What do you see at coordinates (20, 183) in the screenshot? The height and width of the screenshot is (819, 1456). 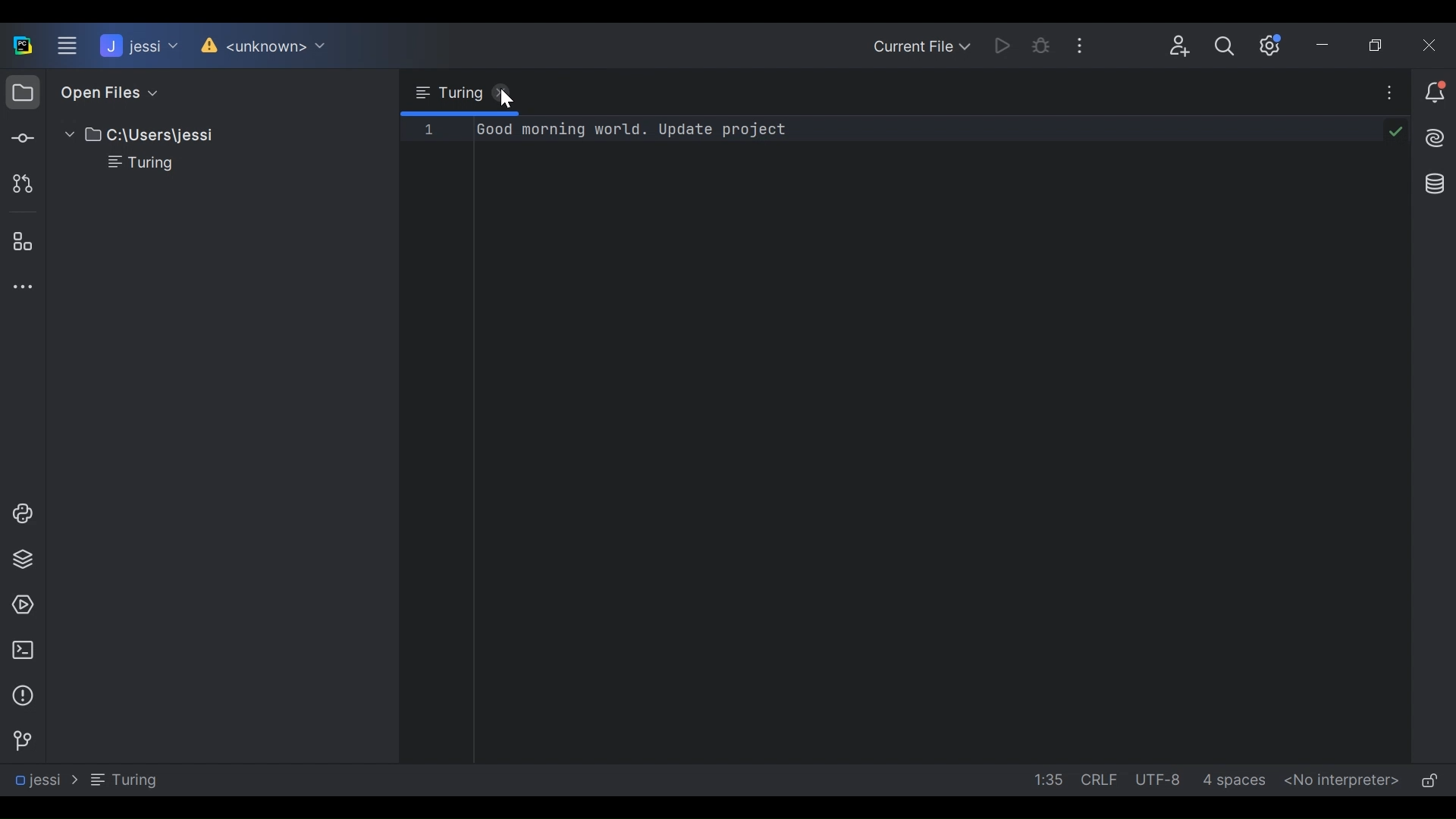 I see `Pull request` at bounding box center [20, 183].